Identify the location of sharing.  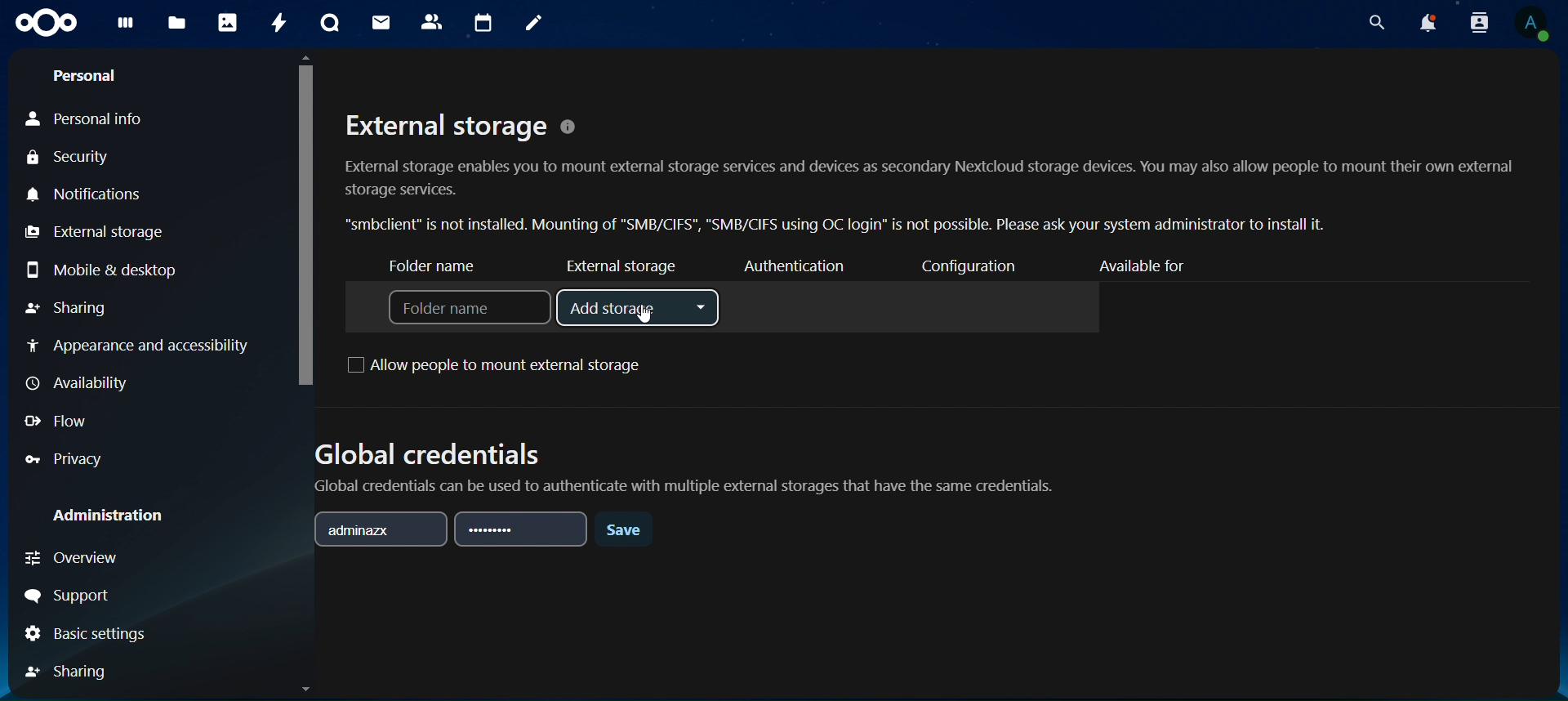
(69, 308).